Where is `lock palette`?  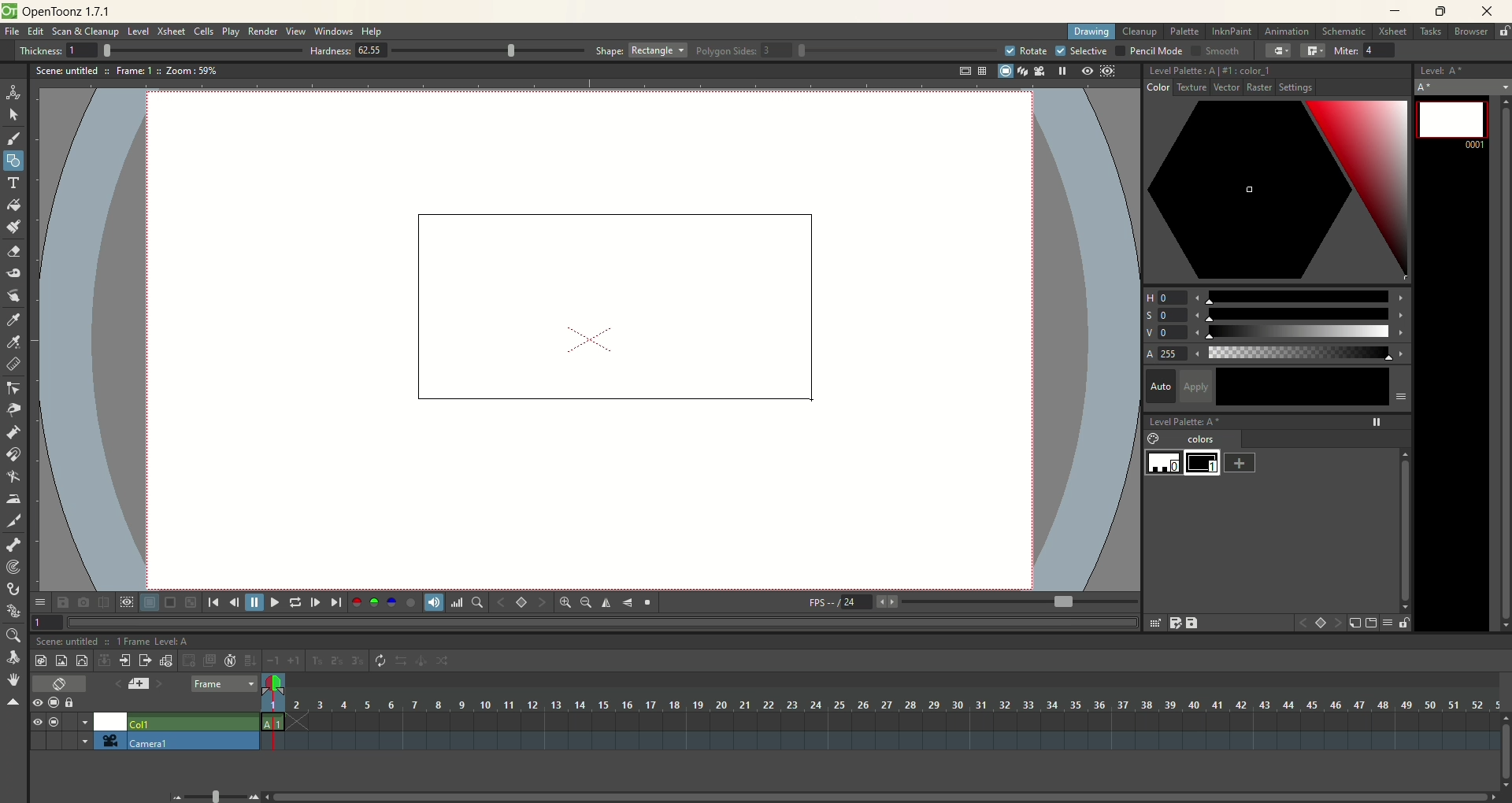
lock palette is located at coordinates (1395, 623).